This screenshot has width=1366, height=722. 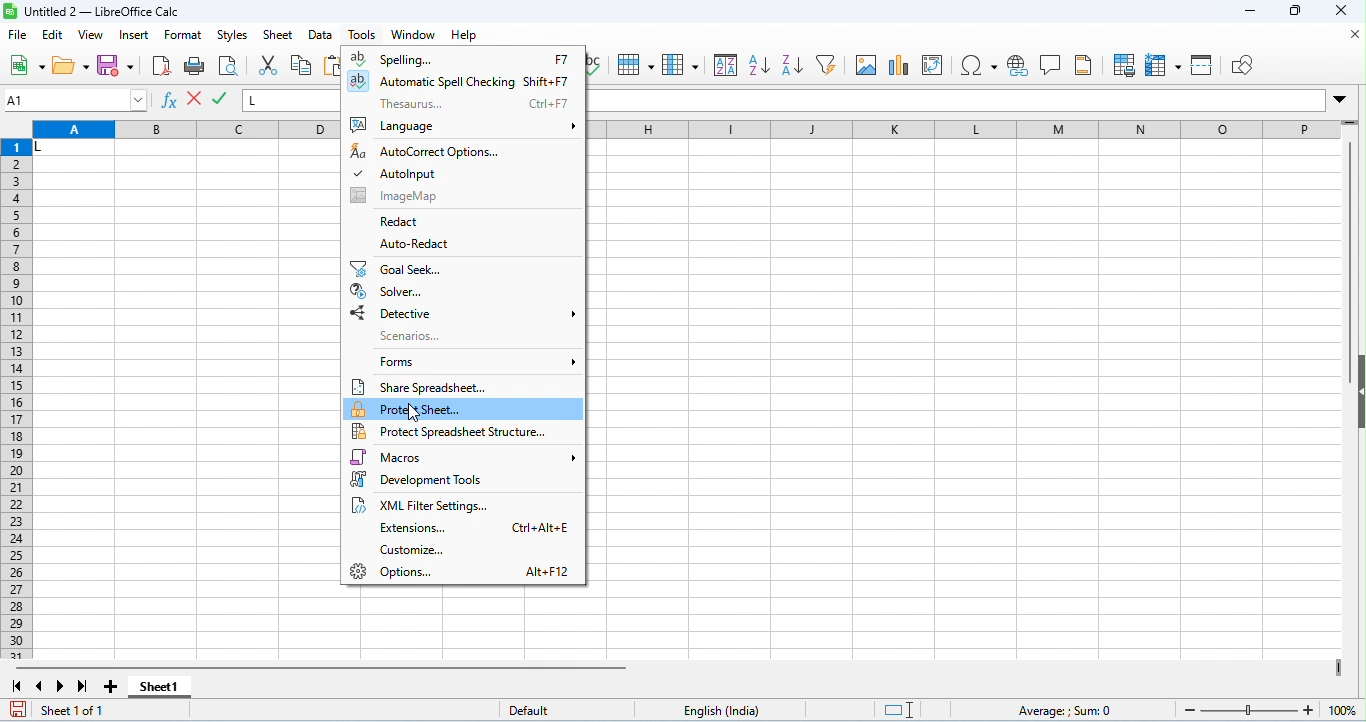 What do you see at coordinates (464, 59) in the screenshot?
I see `spelling` at bounding box center [464, 59].